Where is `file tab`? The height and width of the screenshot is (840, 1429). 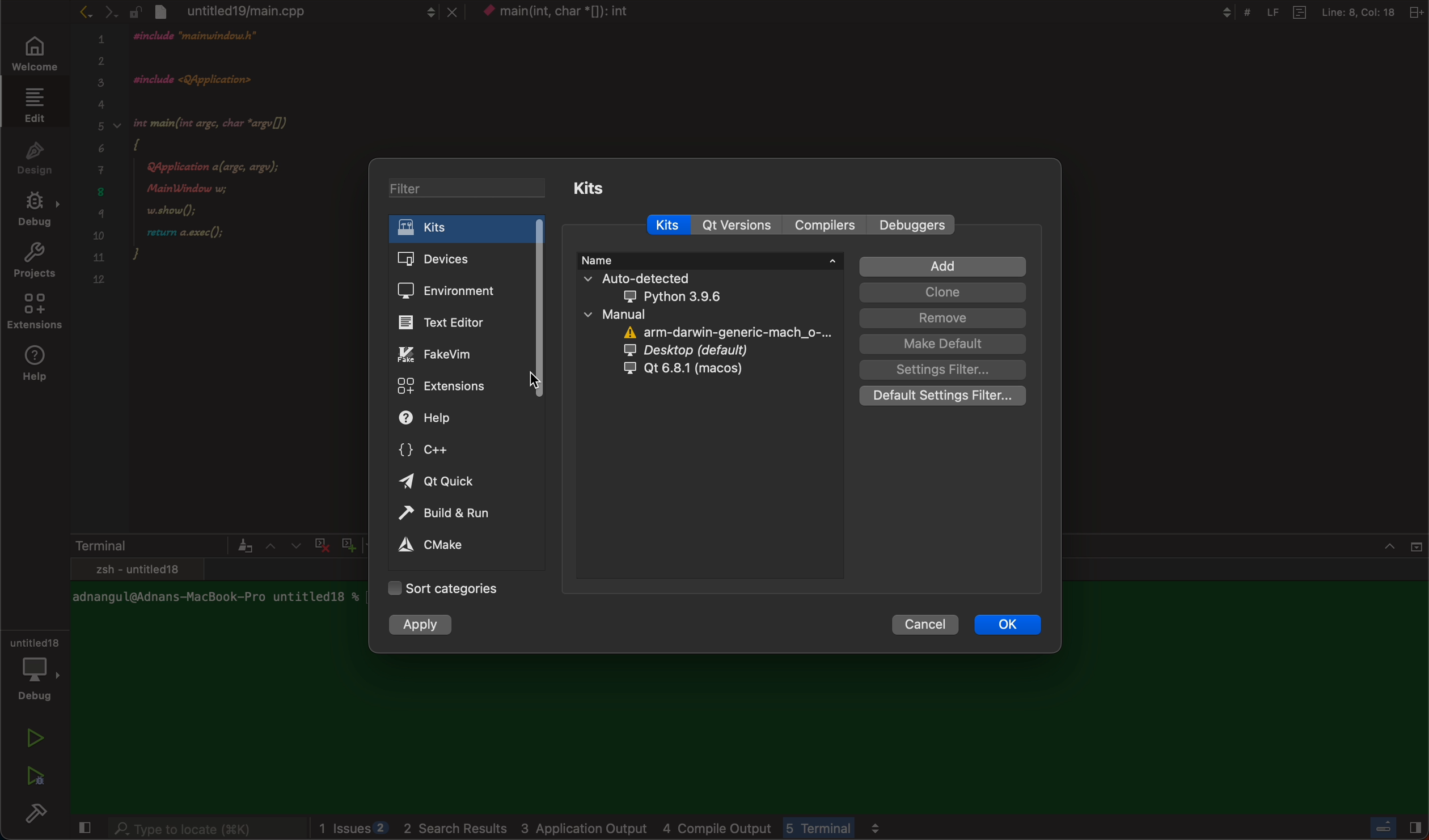
file tab is located at coordinates (294, 11).